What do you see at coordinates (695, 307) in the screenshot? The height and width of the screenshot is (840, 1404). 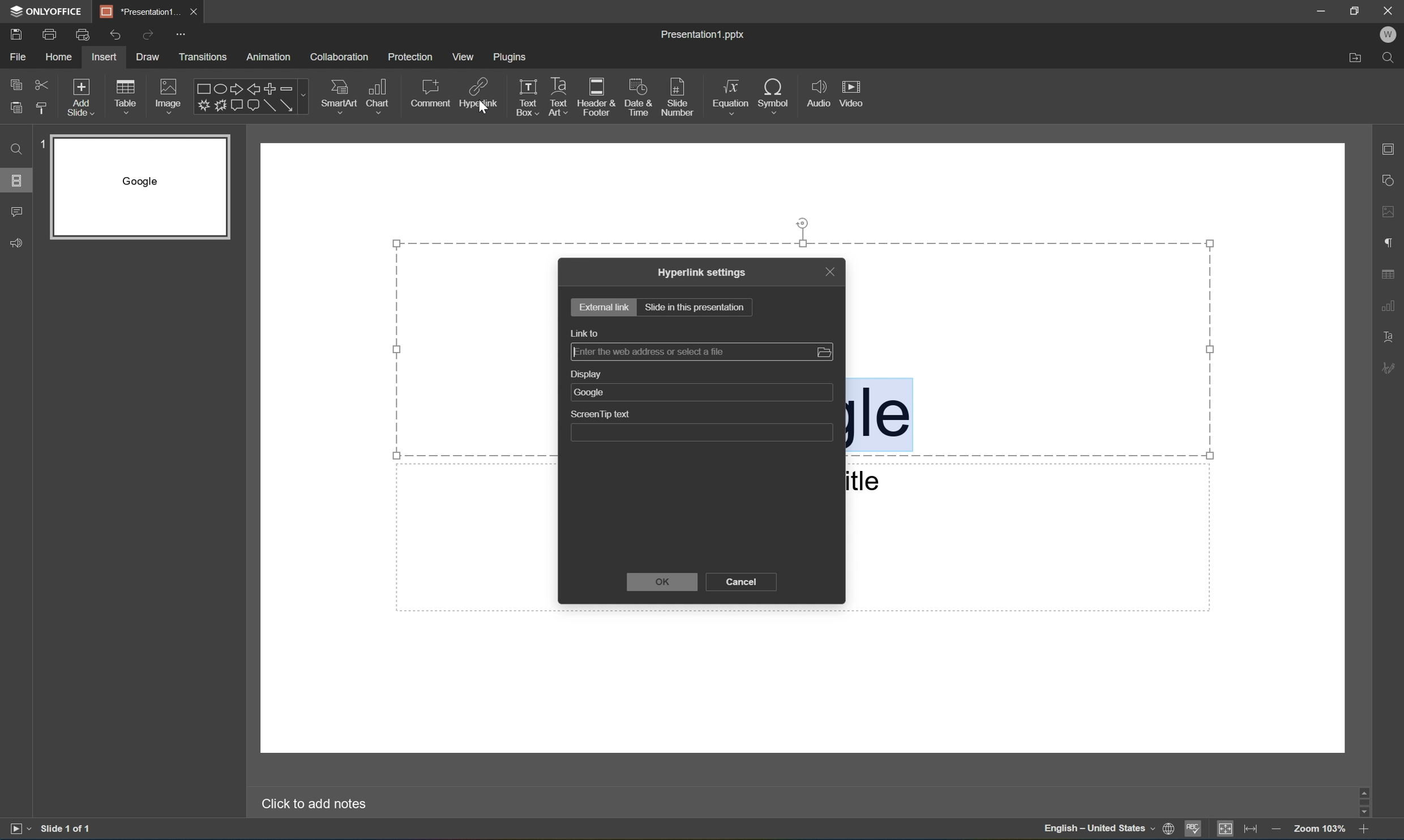 I see `Slide in this presentation` at bounding box center [695, 307].